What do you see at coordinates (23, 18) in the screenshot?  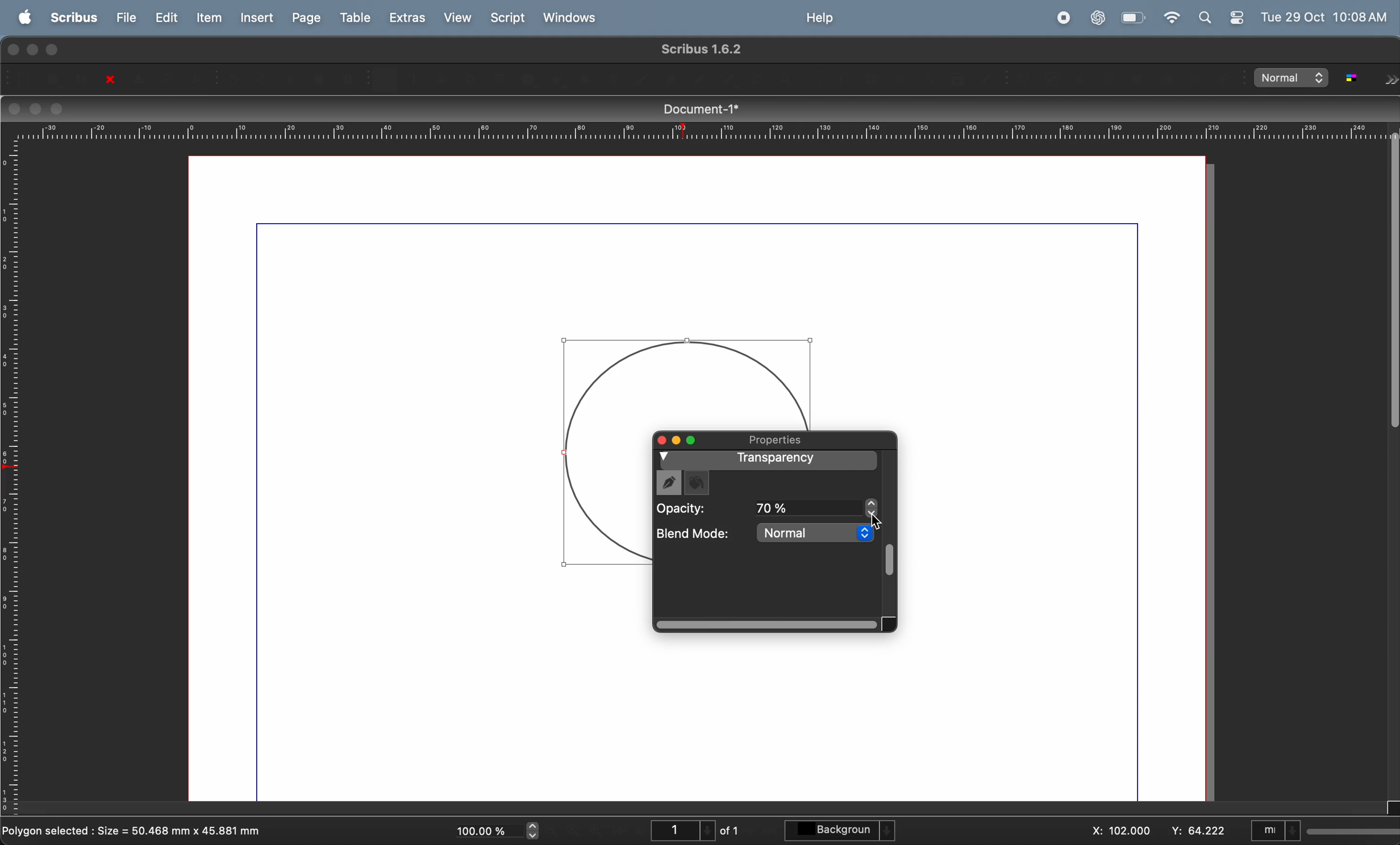 I see `apple menu` at bounding box center [23, 18].